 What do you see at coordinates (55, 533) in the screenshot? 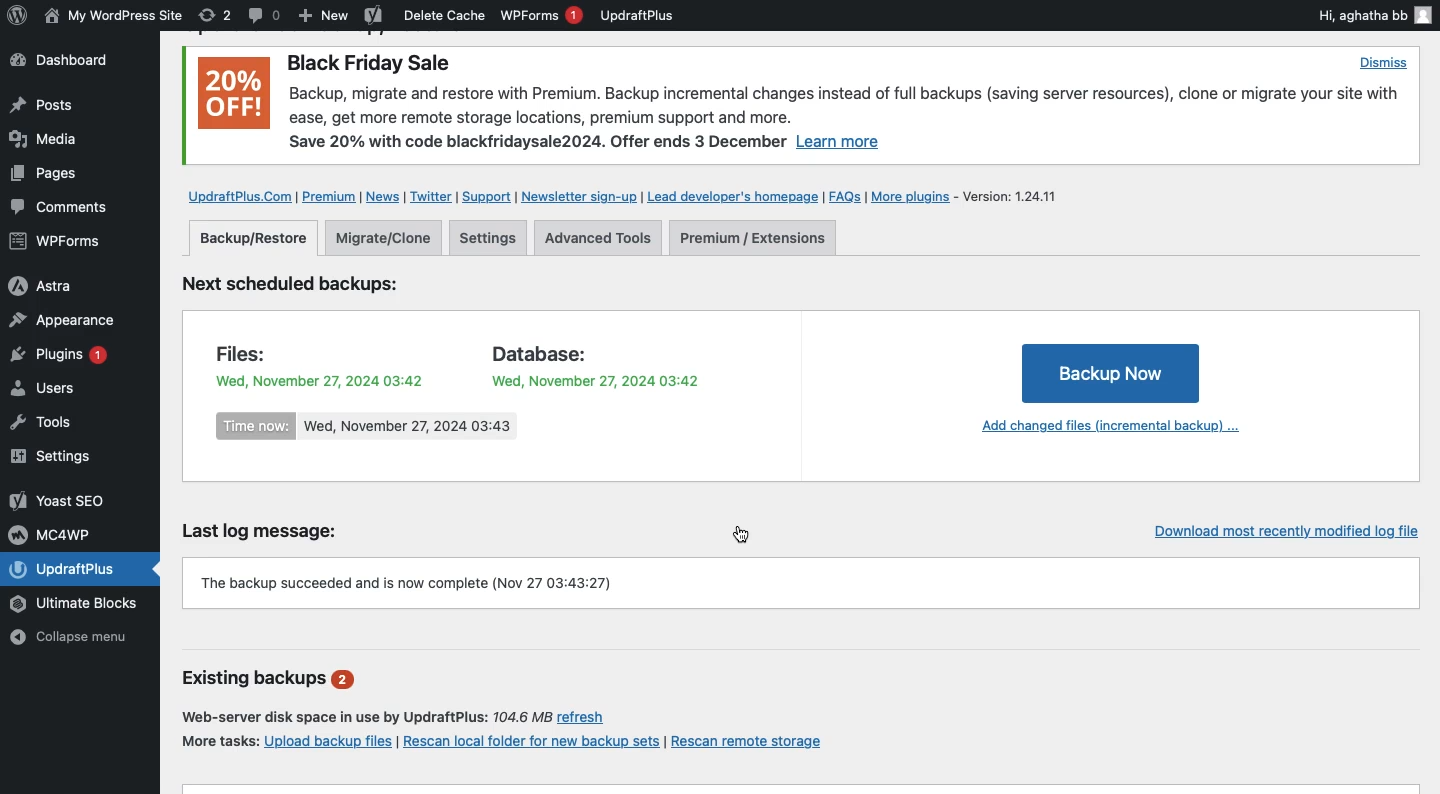
I see `MC4WP` at bounding box center [55, 533].